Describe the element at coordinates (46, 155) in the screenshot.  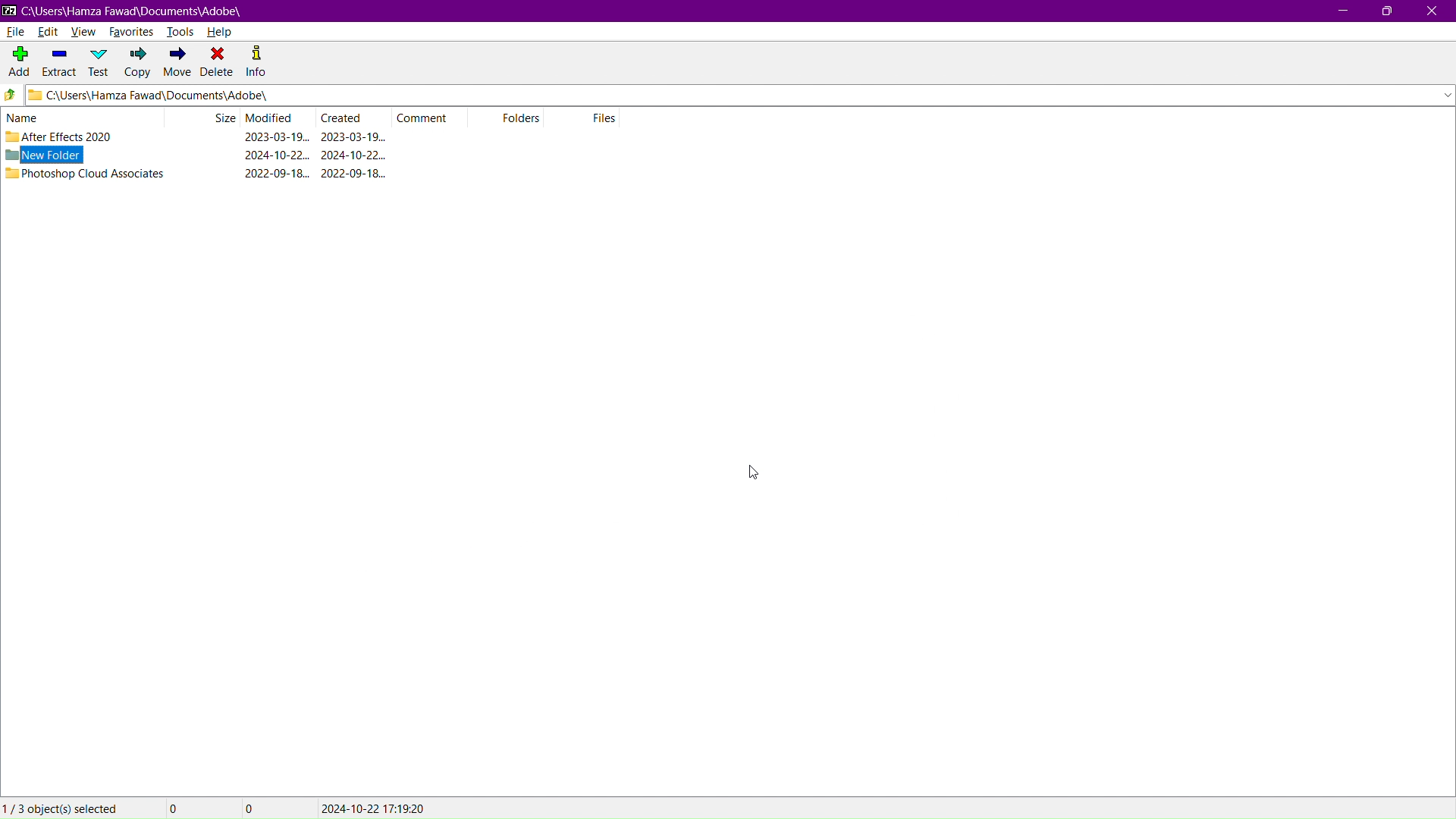
I see `New Folder` at that location.